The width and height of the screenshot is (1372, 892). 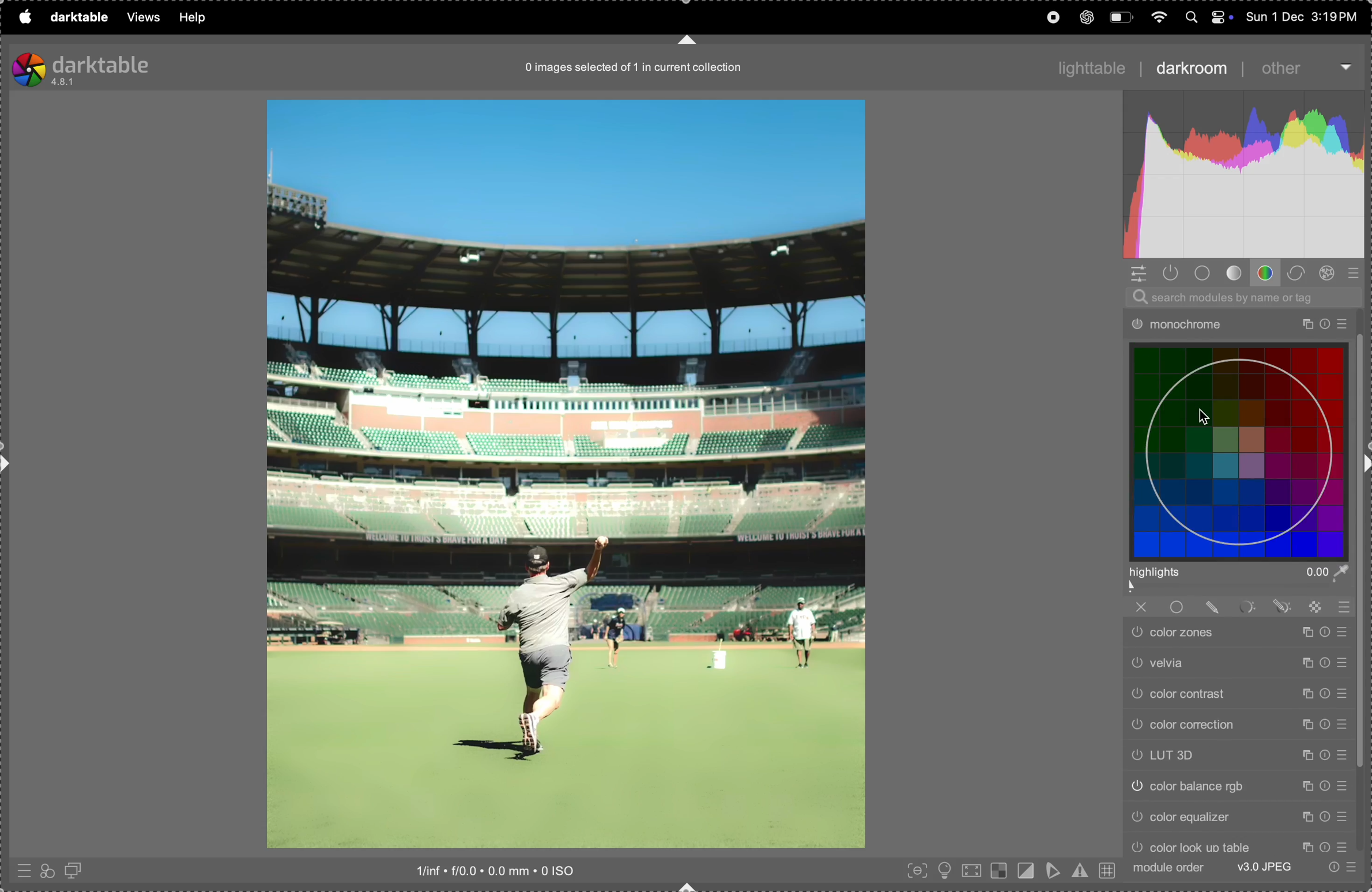 I want to click on velvia, so click(x=1239, y=664).